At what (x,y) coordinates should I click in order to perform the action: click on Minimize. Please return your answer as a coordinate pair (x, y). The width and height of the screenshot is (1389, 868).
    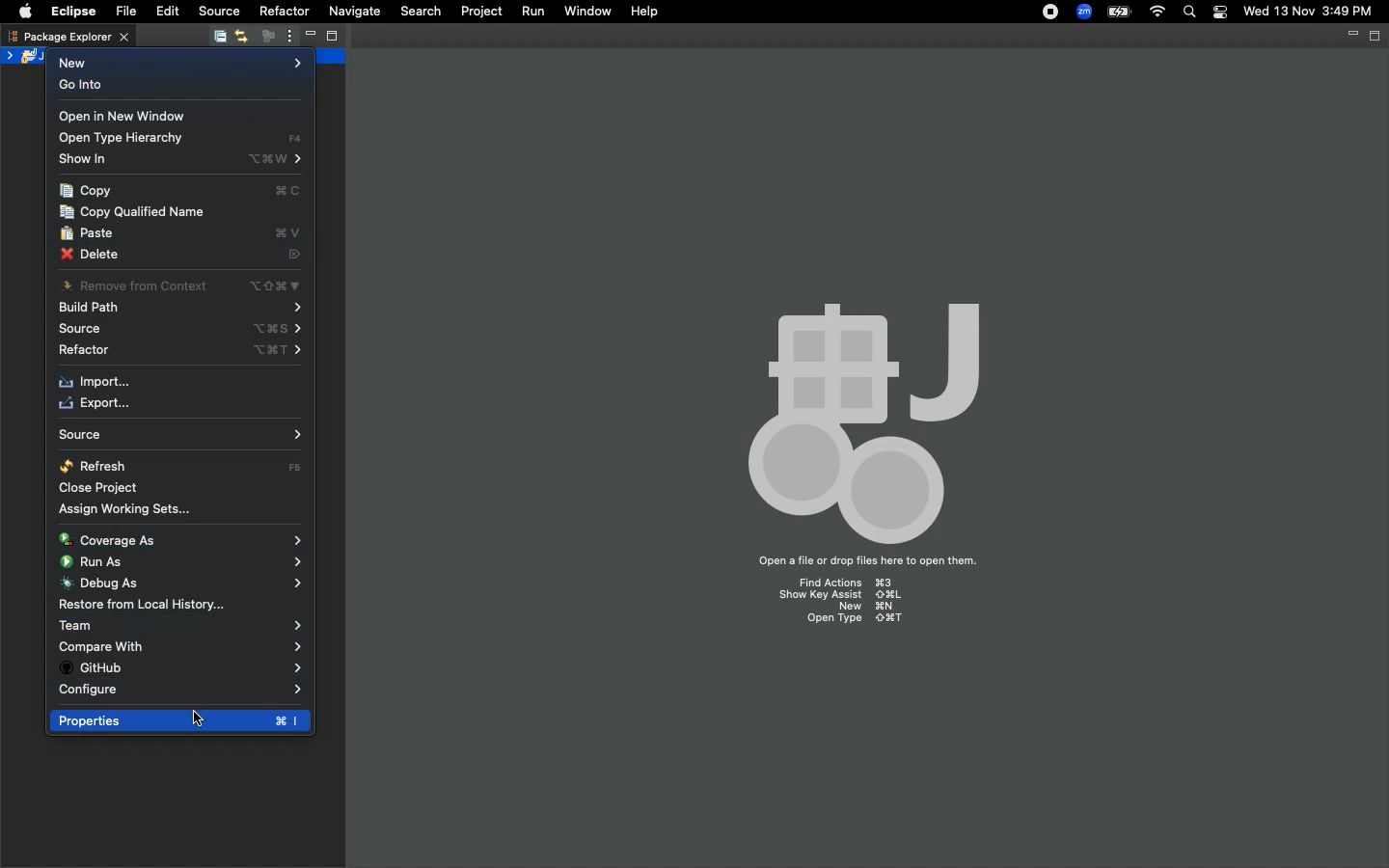
    Looking at the image, I should click on (309, 37).